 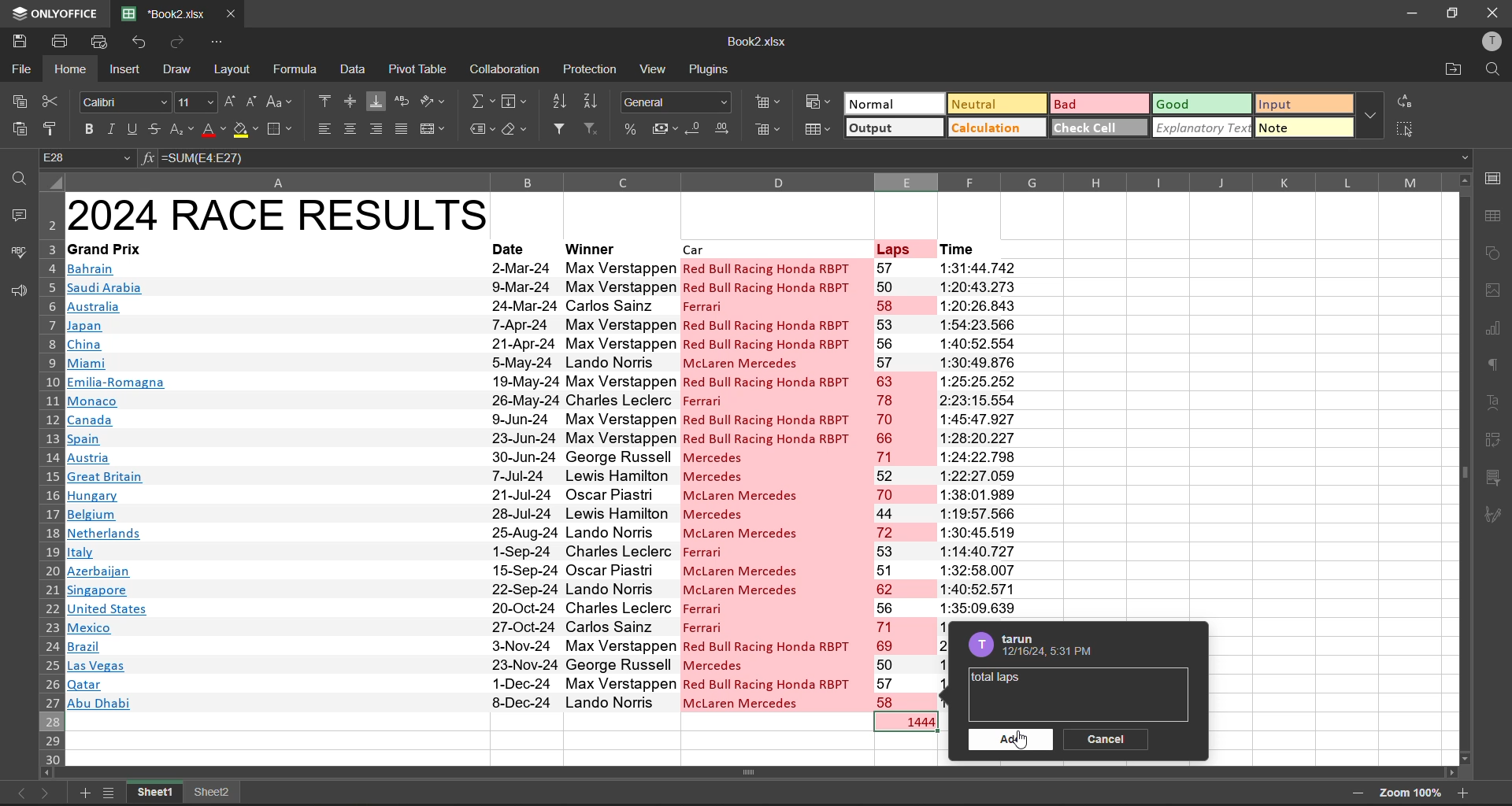 What do you see at coordinates (16, 254) in the screenshot?
I see `spellcheck` at bounding box center [16, 254].